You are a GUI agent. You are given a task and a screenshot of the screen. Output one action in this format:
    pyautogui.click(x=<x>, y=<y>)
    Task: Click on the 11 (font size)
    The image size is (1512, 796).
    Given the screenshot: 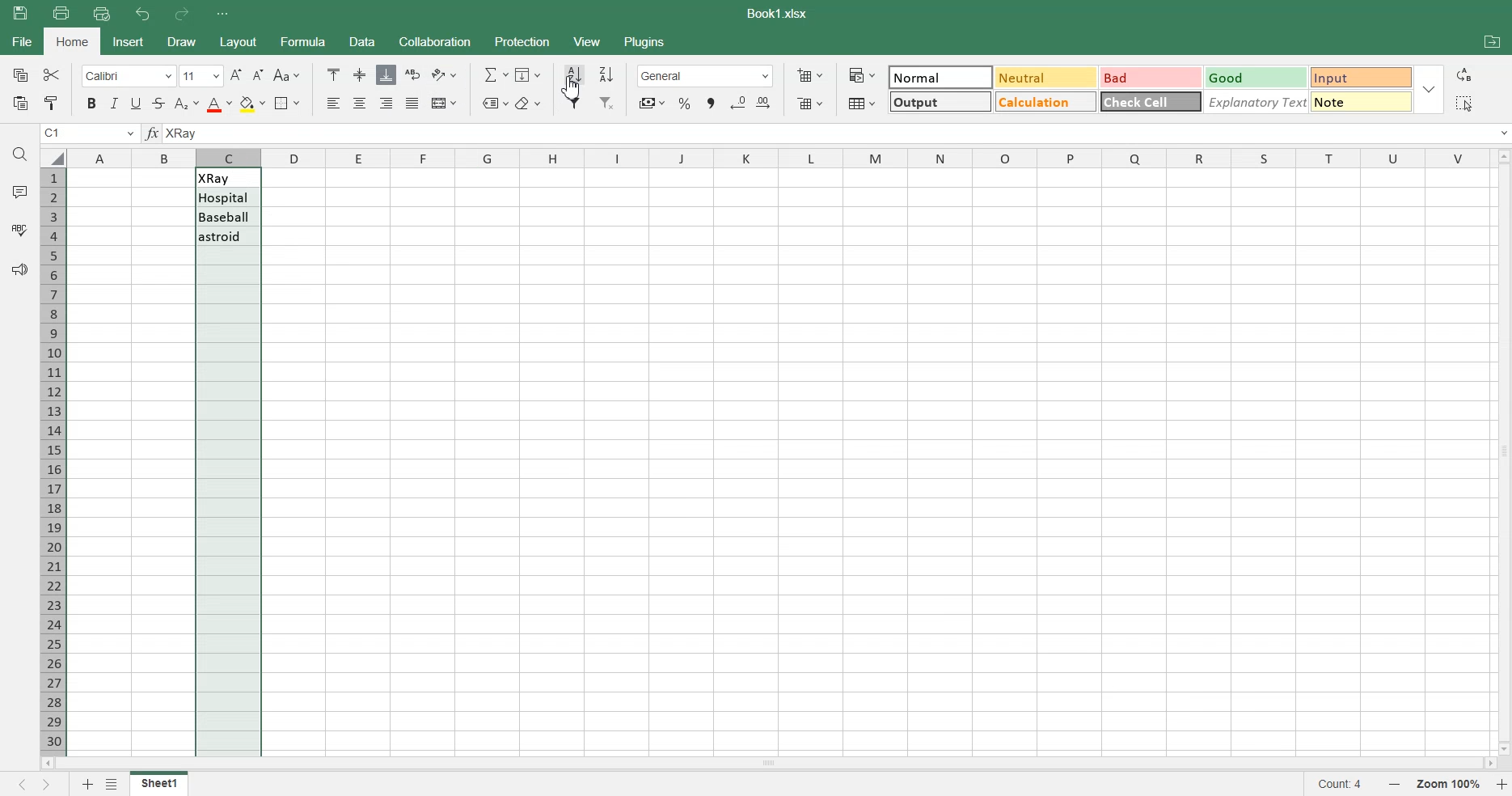 What is the action you would take?
    pyautogui.click(x=200, y=74)
    